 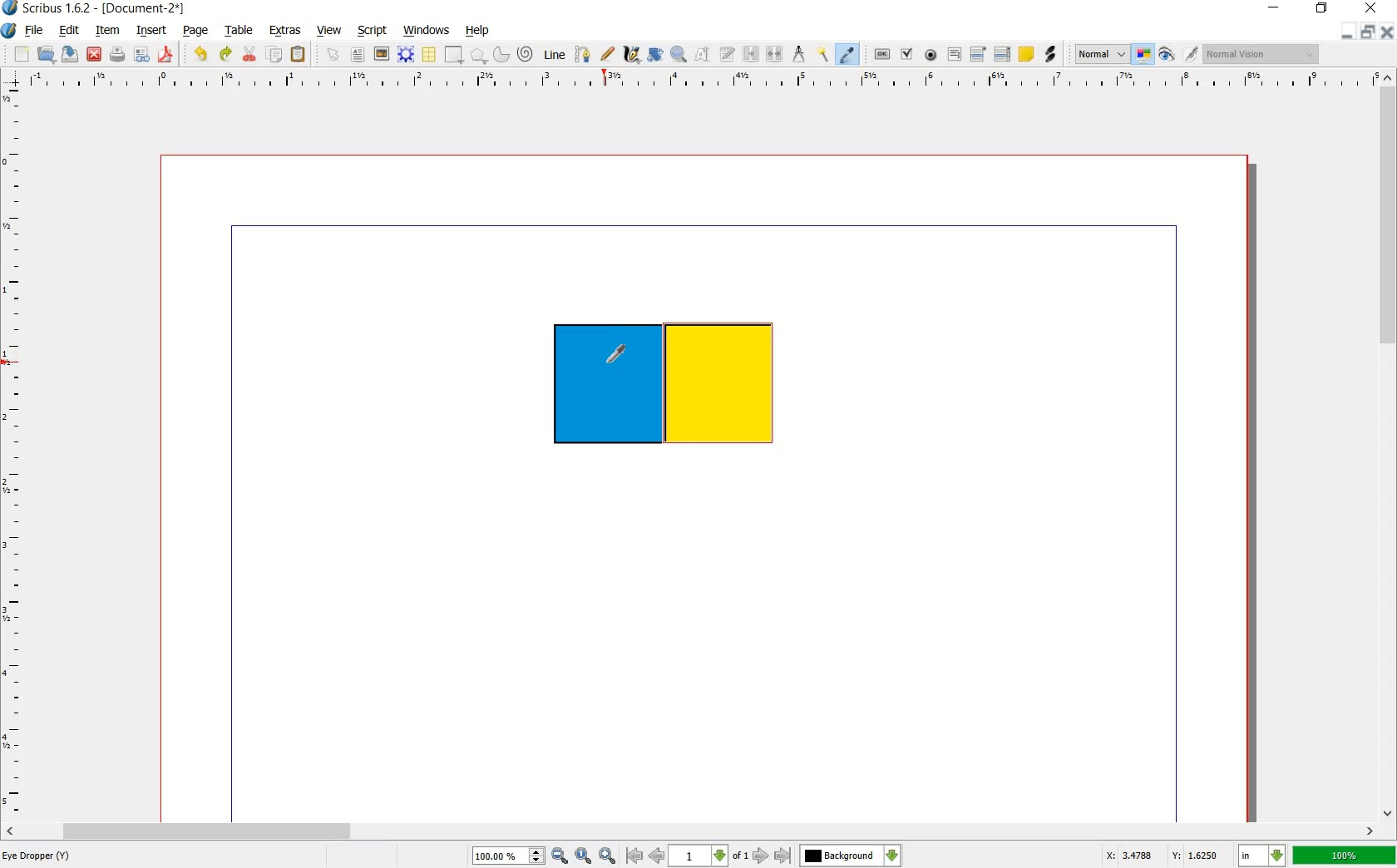 What do you see at coordinates (69, 31) in the screenshot?
I see `edit` at bounding box center [69, 31].